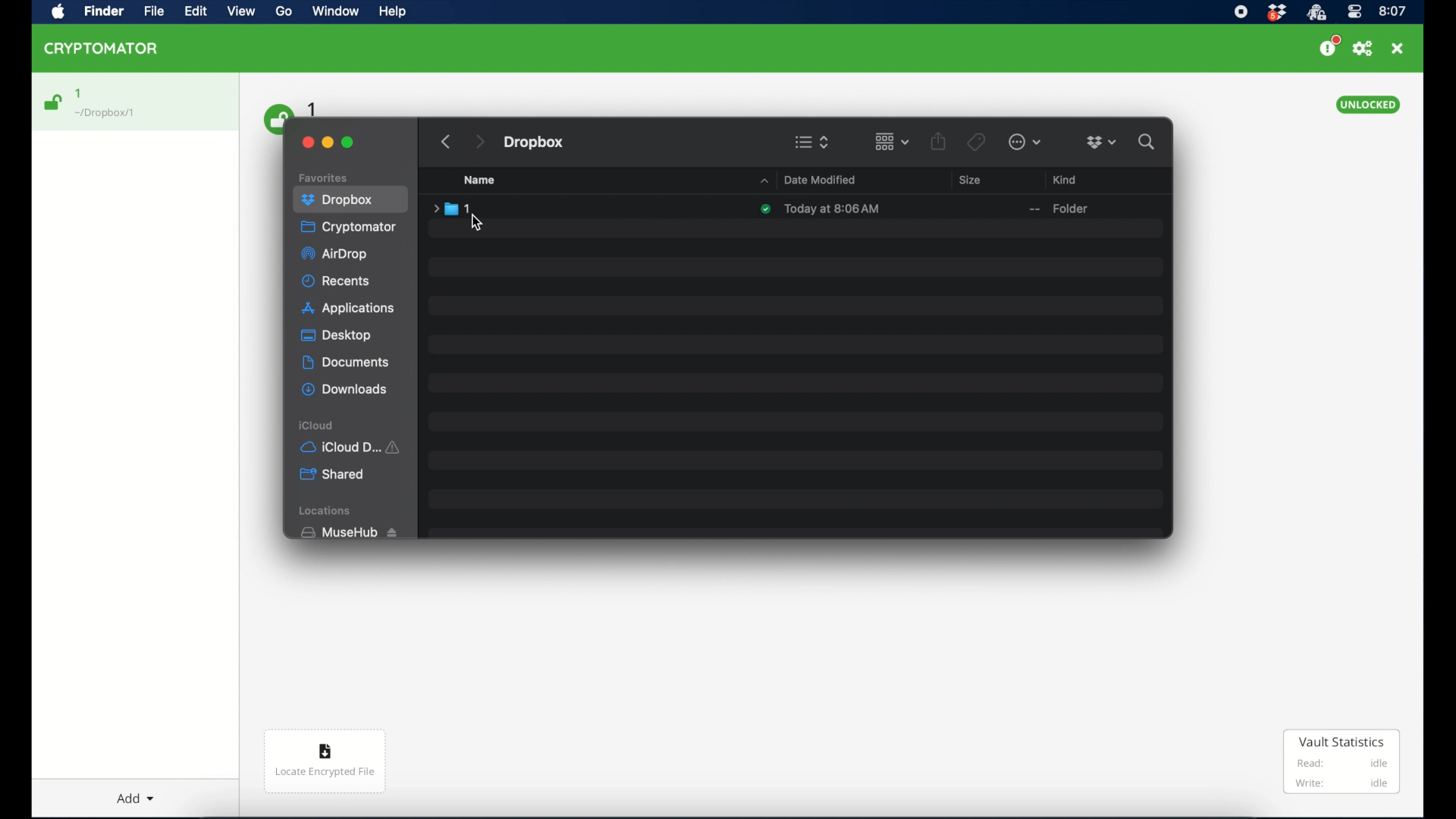 This screenshot has width=1456, height=819. What do you see at coordinates (345, 362) in the screenshot?
I see `documents` at bounding box center [345, 362].